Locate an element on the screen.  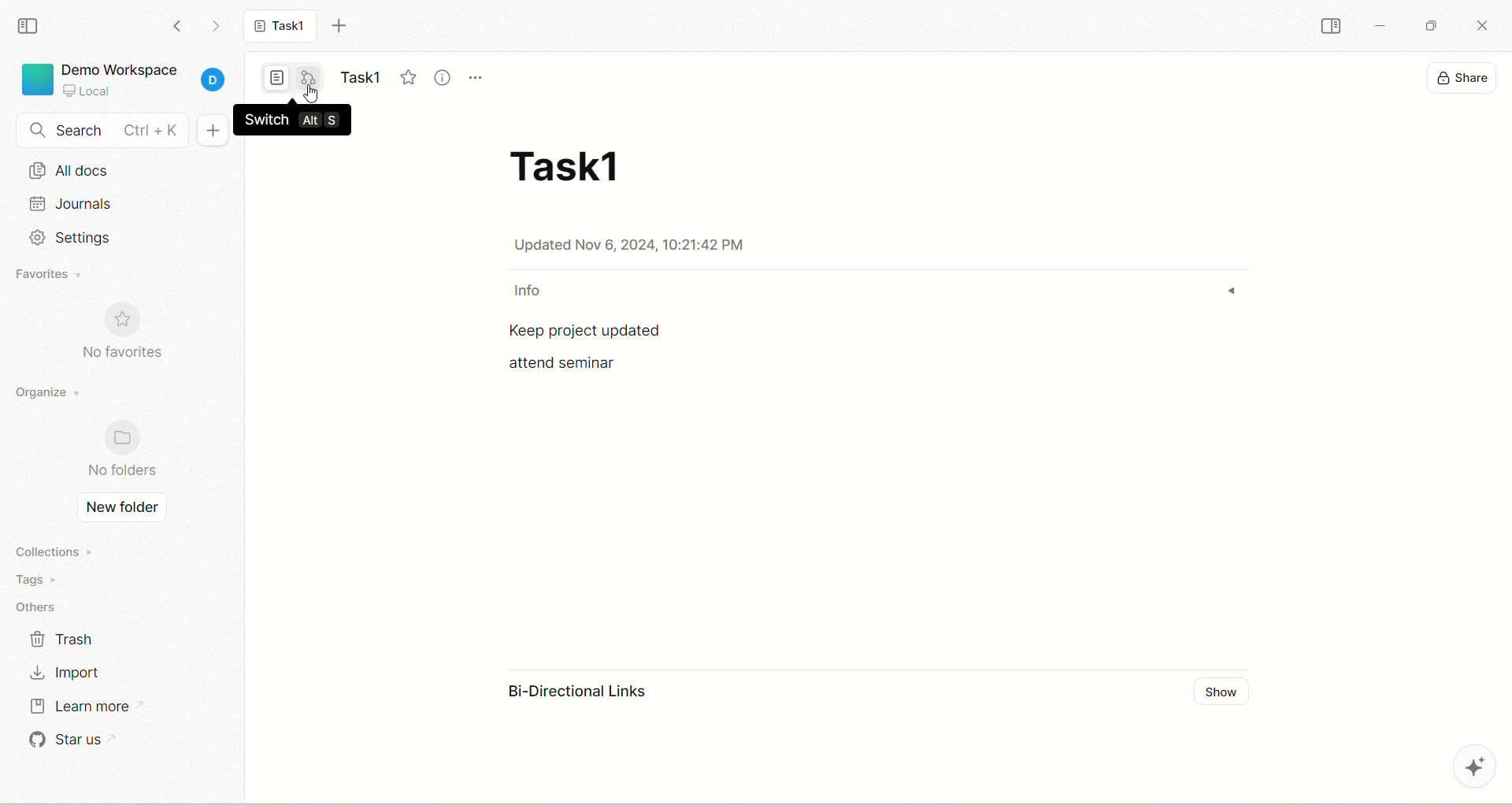
search is located at coordinates (102, 131).